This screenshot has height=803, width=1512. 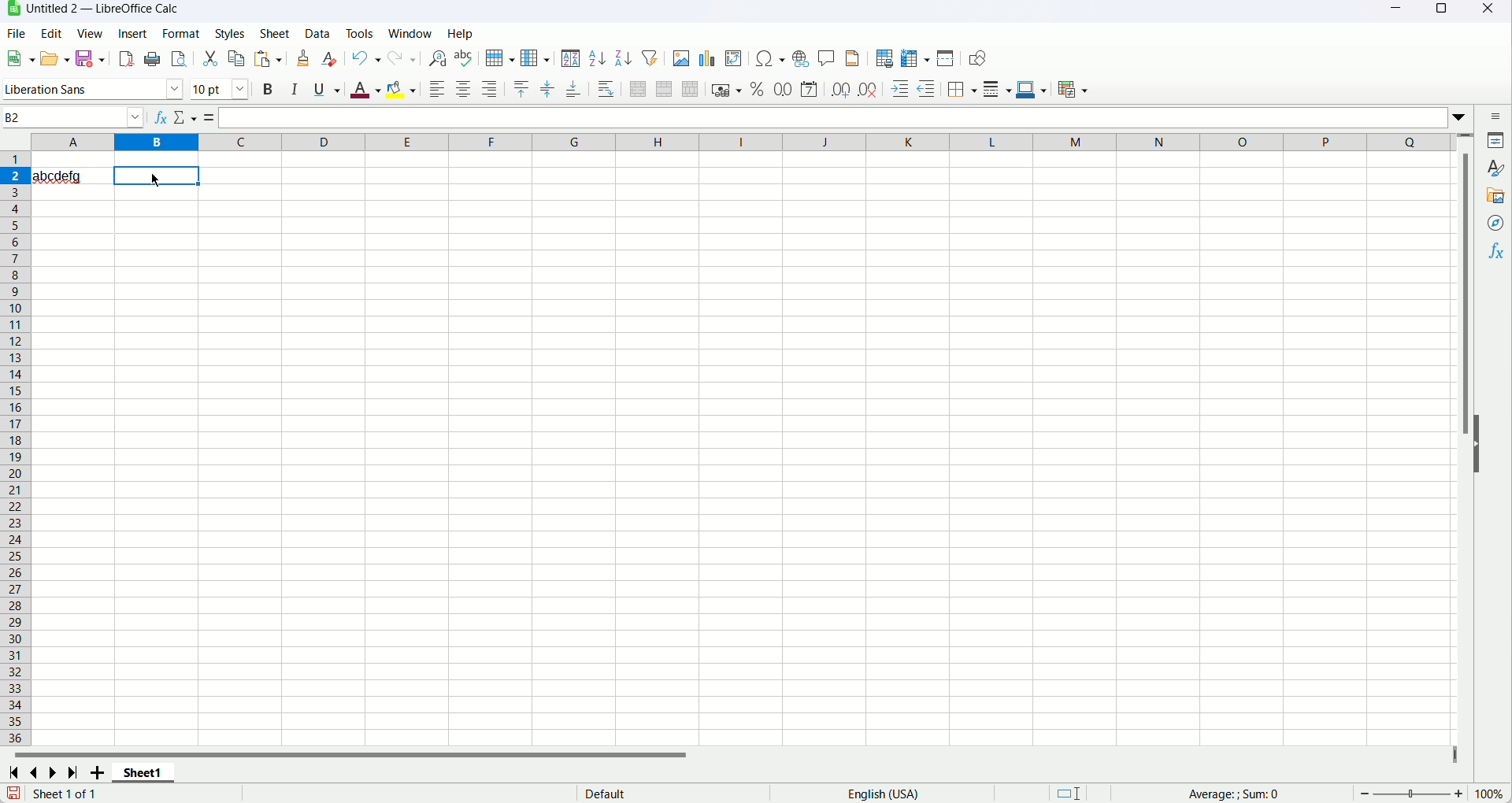 I want to click on open, so click(x=54, y=57).